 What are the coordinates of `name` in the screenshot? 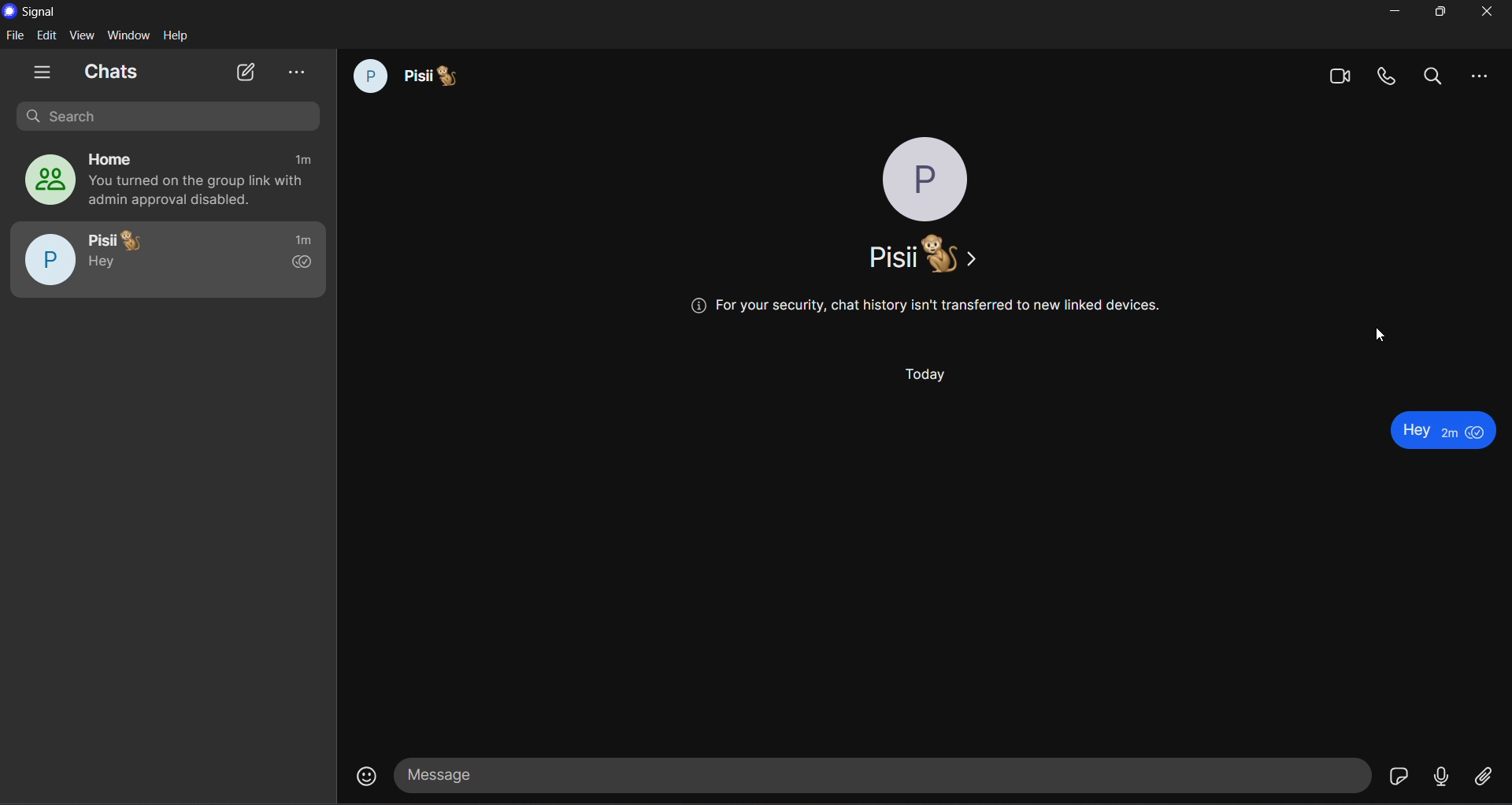 It's located at (923, 253).